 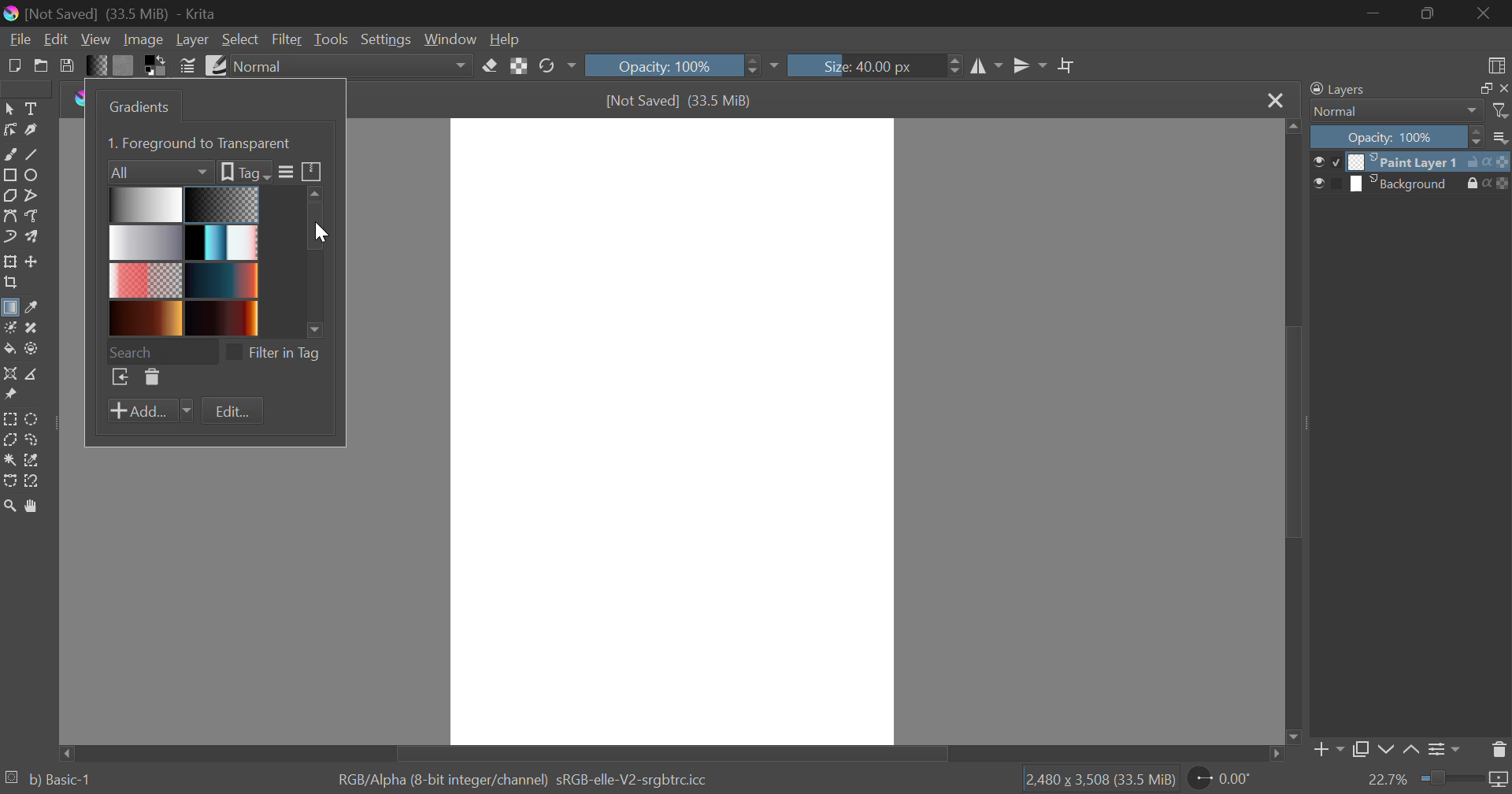 What do you see at coordinates (1407, 161) in the screenshot?
I see `Paint Layer 1` at bounding box center [1407, 161].